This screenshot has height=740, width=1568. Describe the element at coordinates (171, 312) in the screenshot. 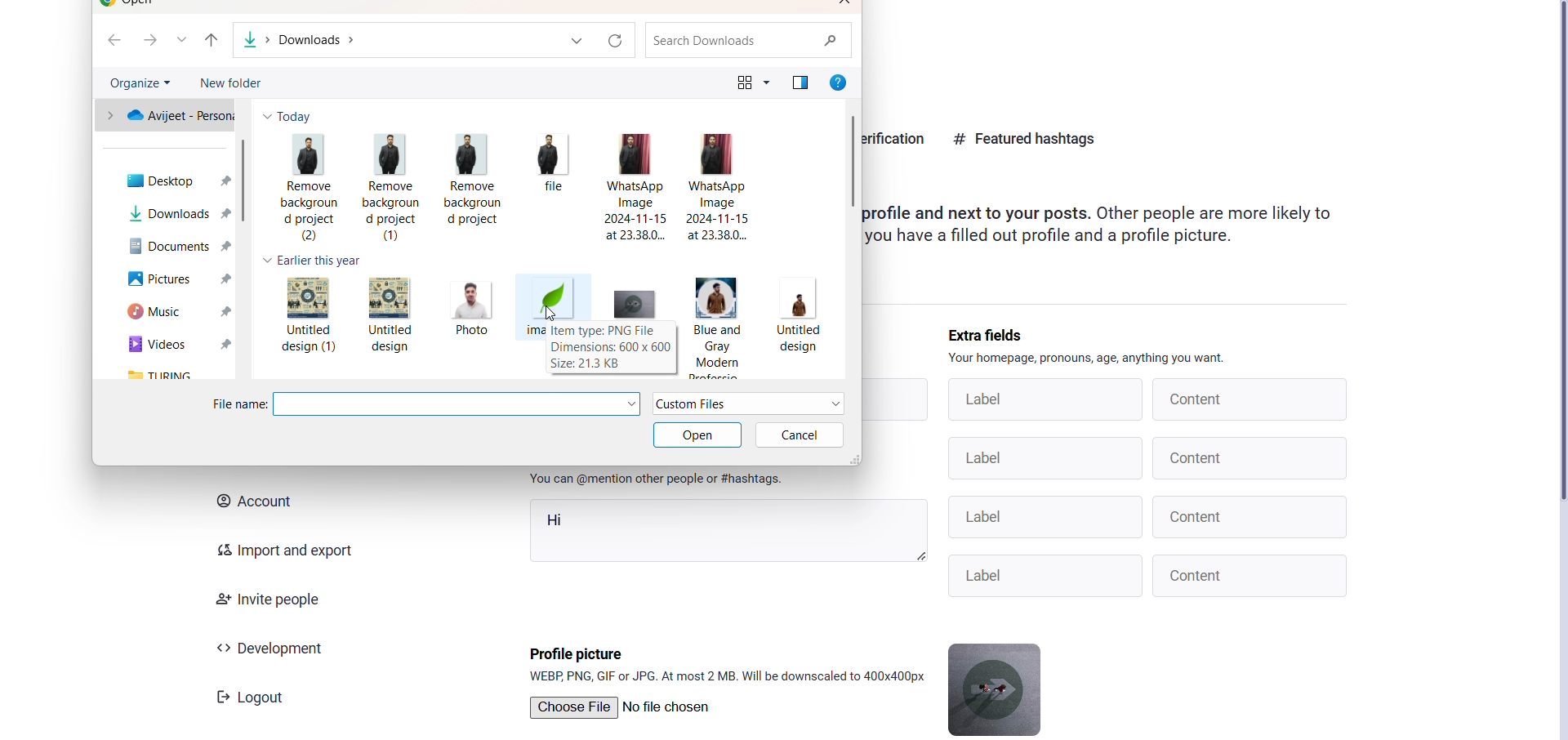

I see `music` at that location.